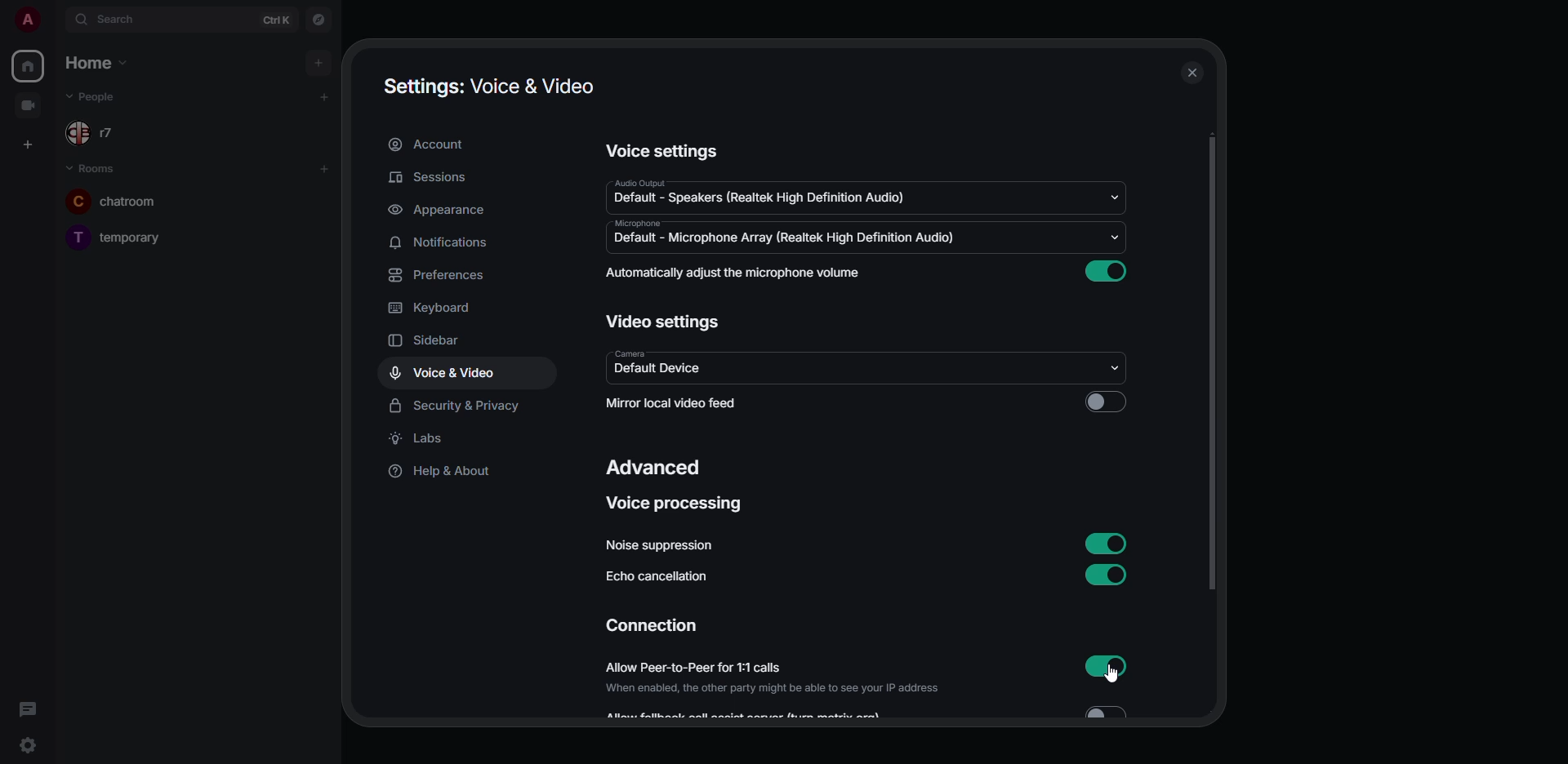 The width and height of the screenshot is (1568, 764). I want to click on video settings, so click(662, 321).